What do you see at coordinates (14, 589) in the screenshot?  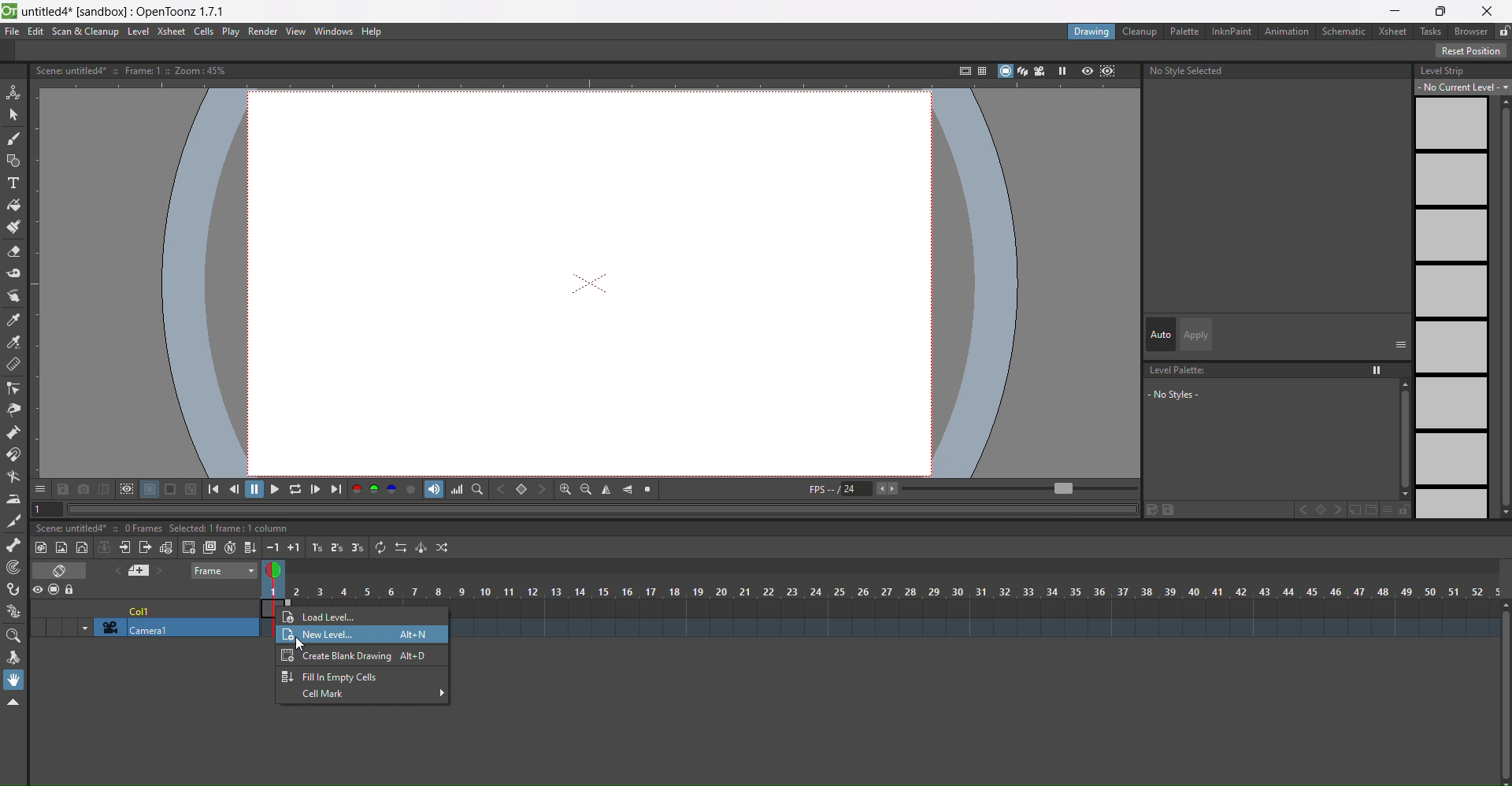 I see `hook tool` at bounding box center [14, 589].